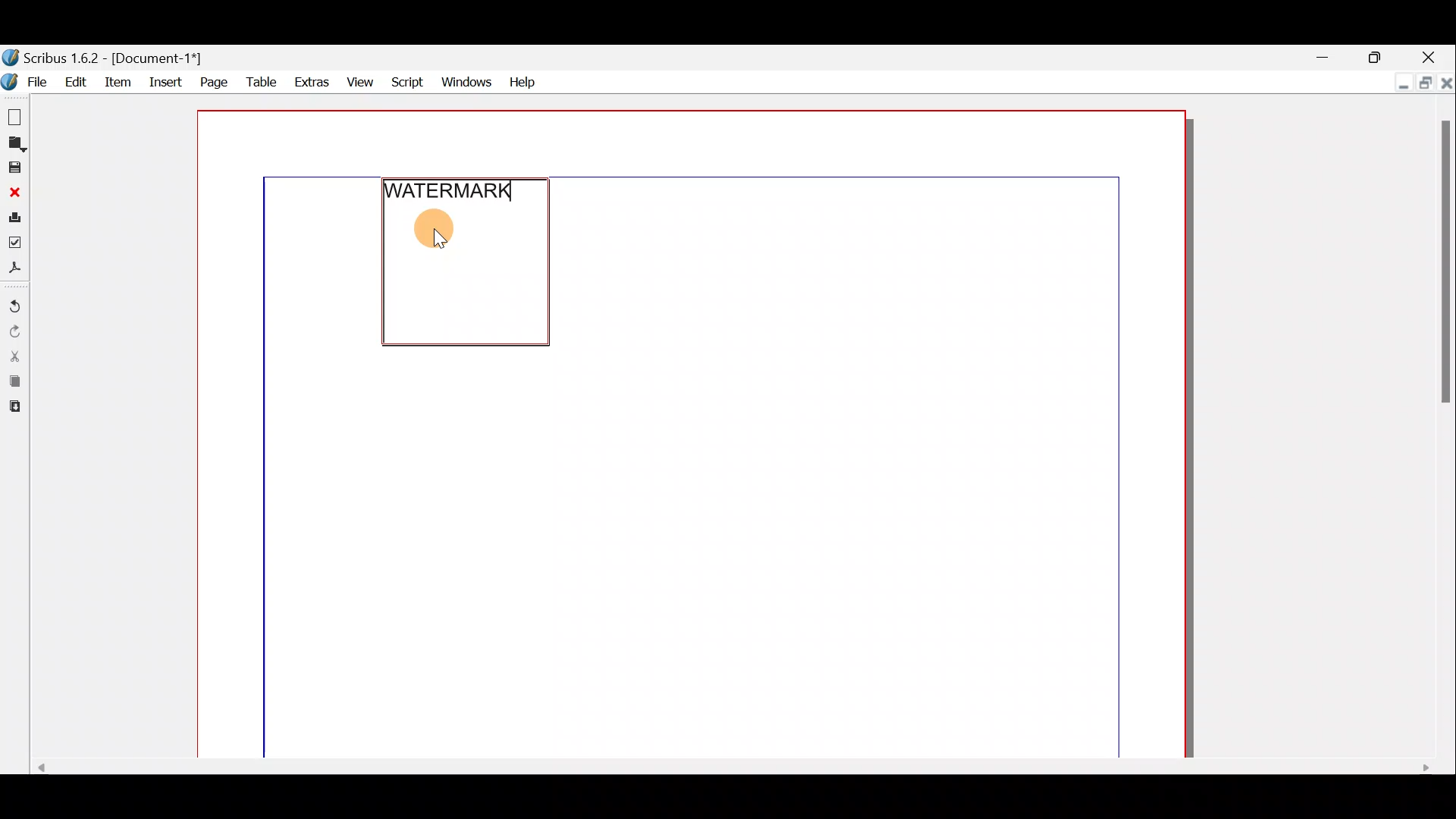 This screenshot has height=819, width=1456. What do you see at coordinates (1423, 81) in the screenshot?
I see `Maximise` at bounding box center [1423, 81].